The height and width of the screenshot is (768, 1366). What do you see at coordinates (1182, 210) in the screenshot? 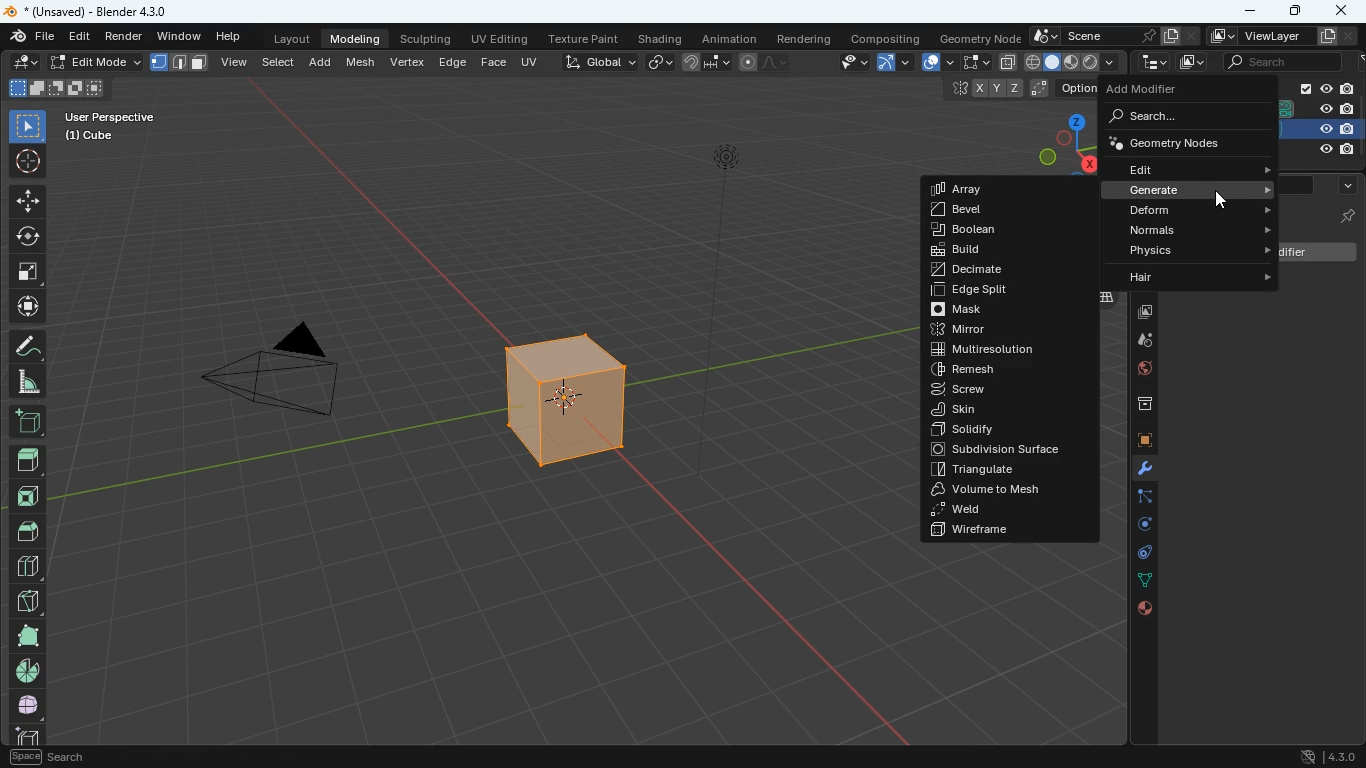
I see `deform` at bounding box center [1182, 210].